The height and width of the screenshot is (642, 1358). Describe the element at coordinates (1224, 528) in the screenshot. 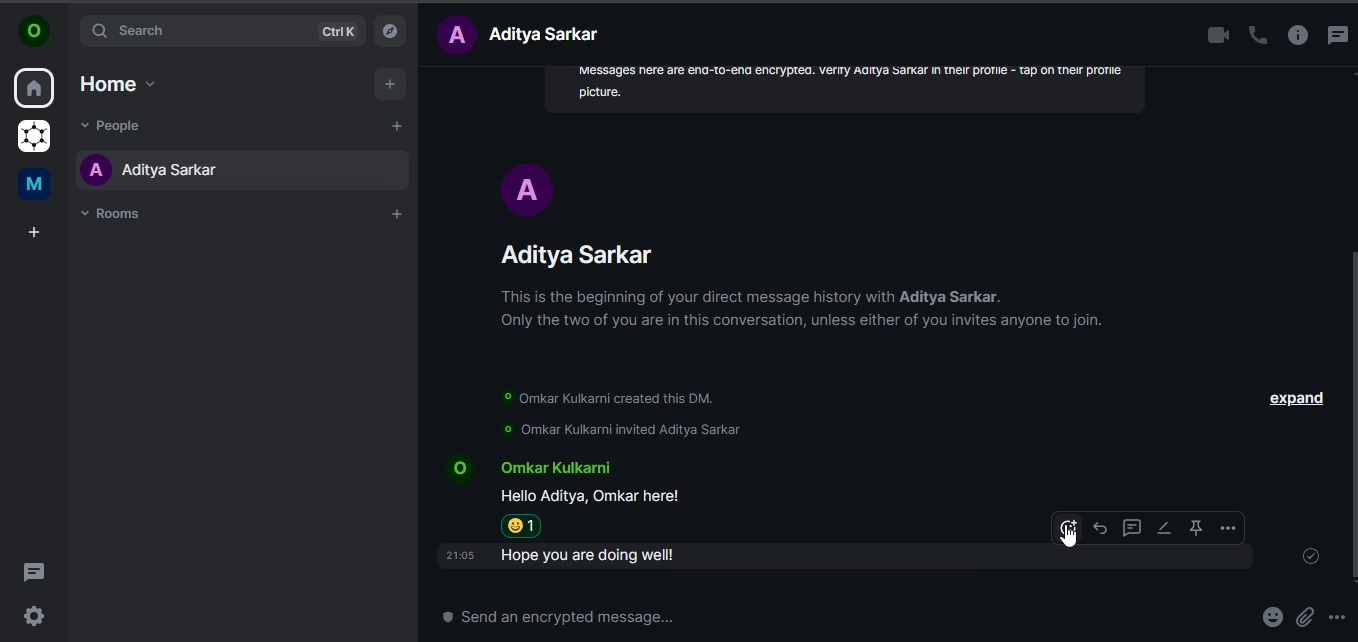

I see `options` at that location.